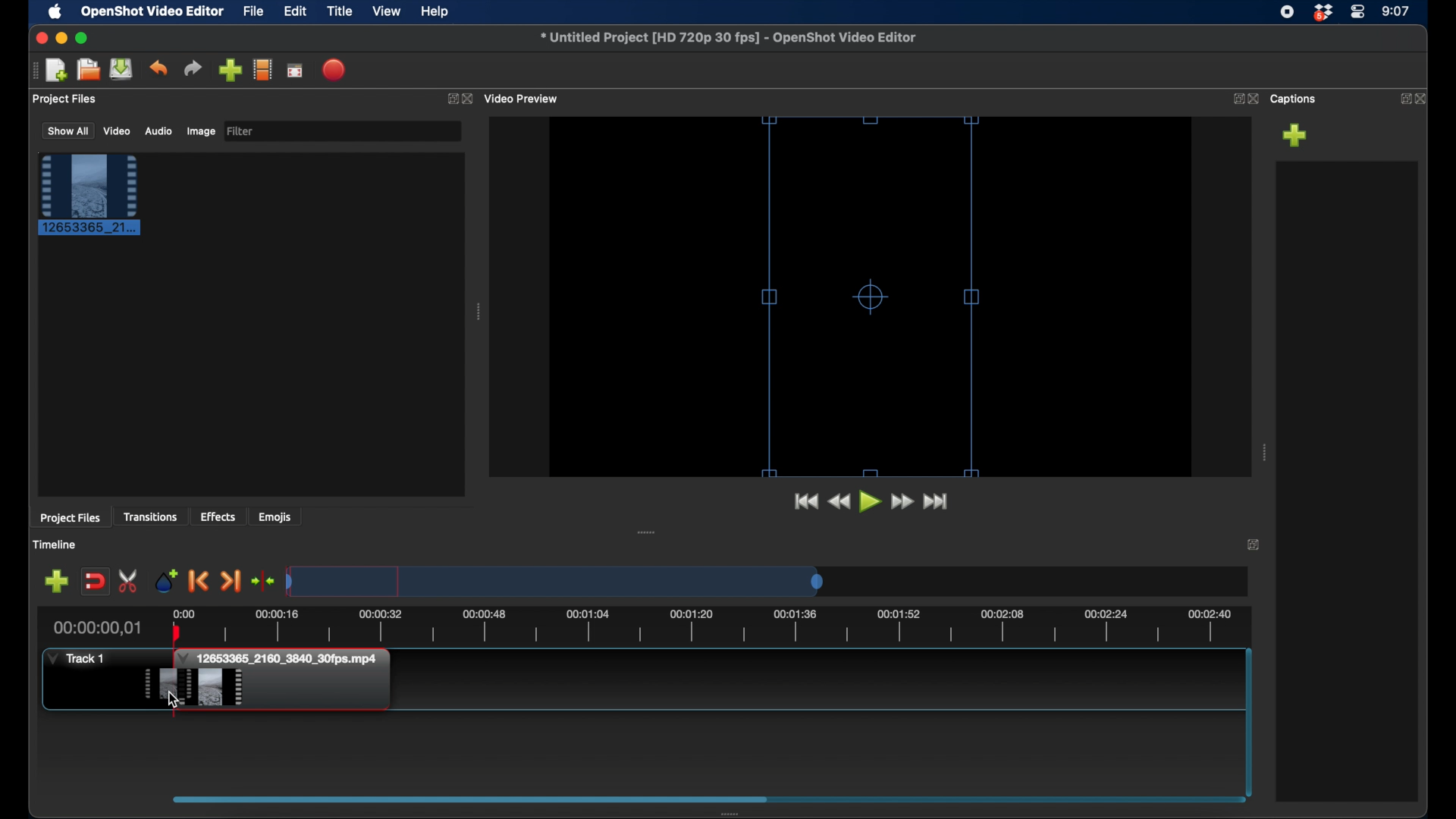  I want to click on resize handles, so click(869, 295).